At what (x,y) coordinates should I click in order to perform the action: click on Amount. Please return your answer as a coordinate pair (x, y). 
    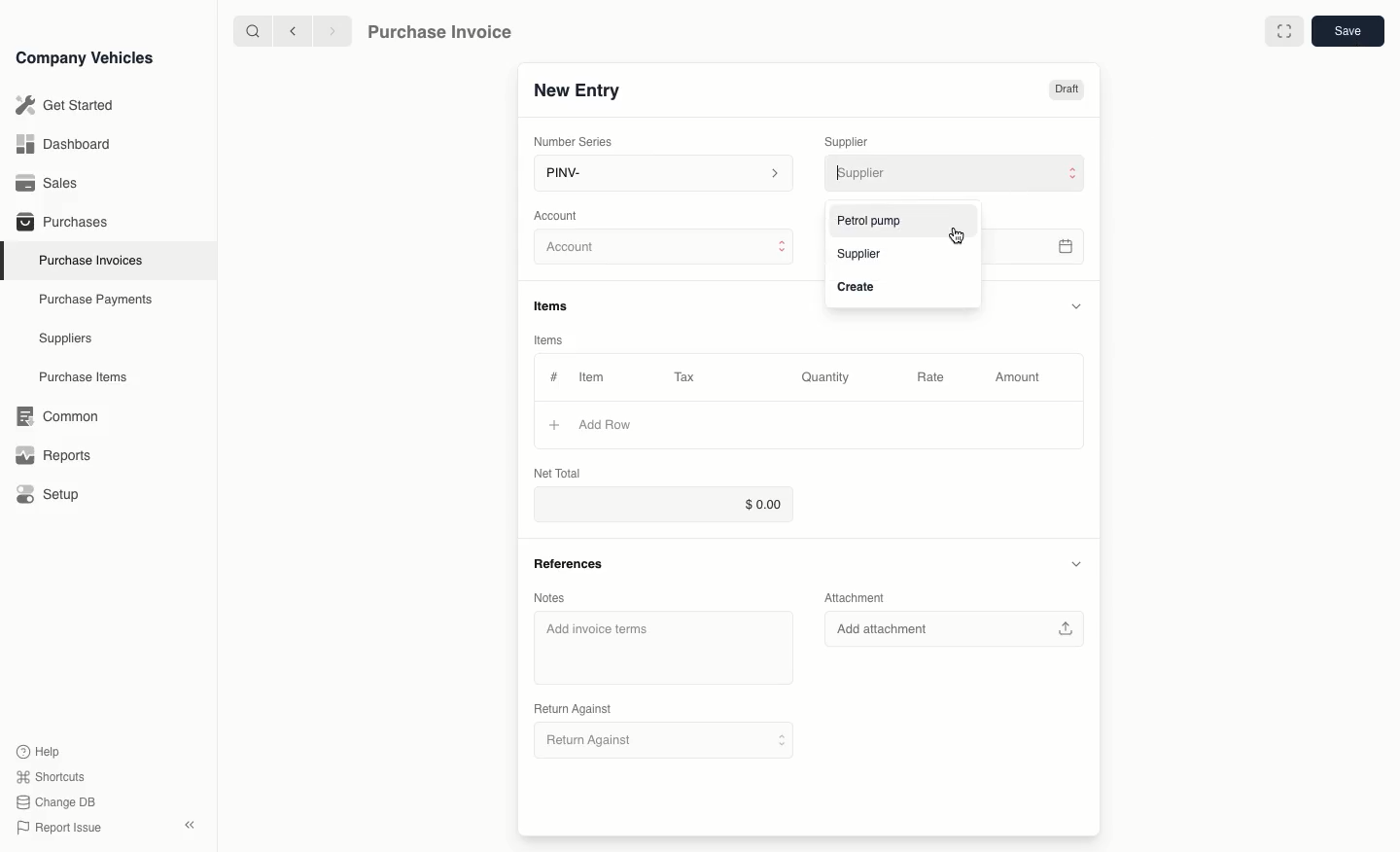
    Looking at the image, I should click on (1022, 377).